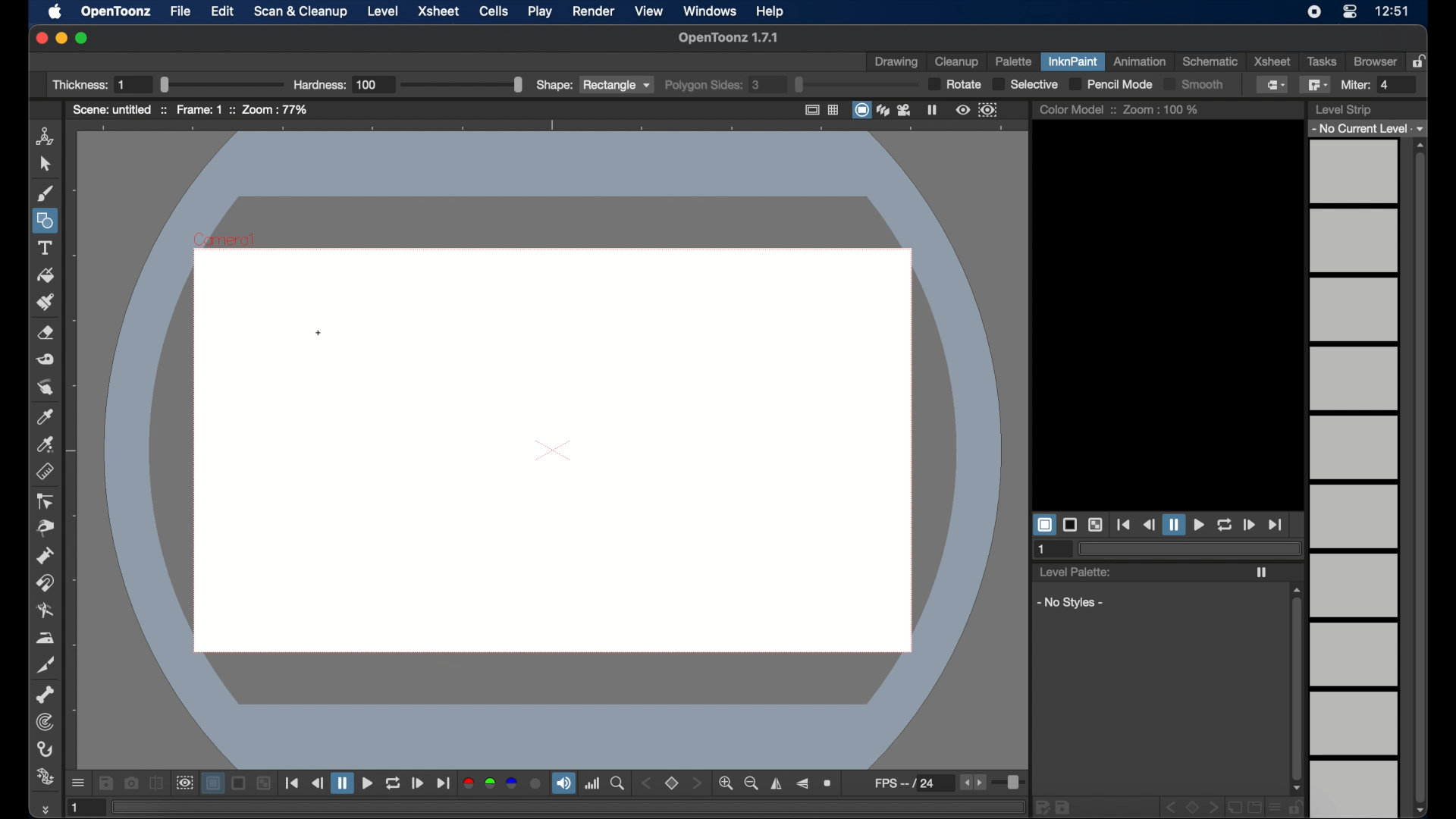 This screenshot has width=1456, height=819. What do you see at coordinates (1095, 526) in the screenshot?
I see `checkered background` at bounding box center [1095, 526].